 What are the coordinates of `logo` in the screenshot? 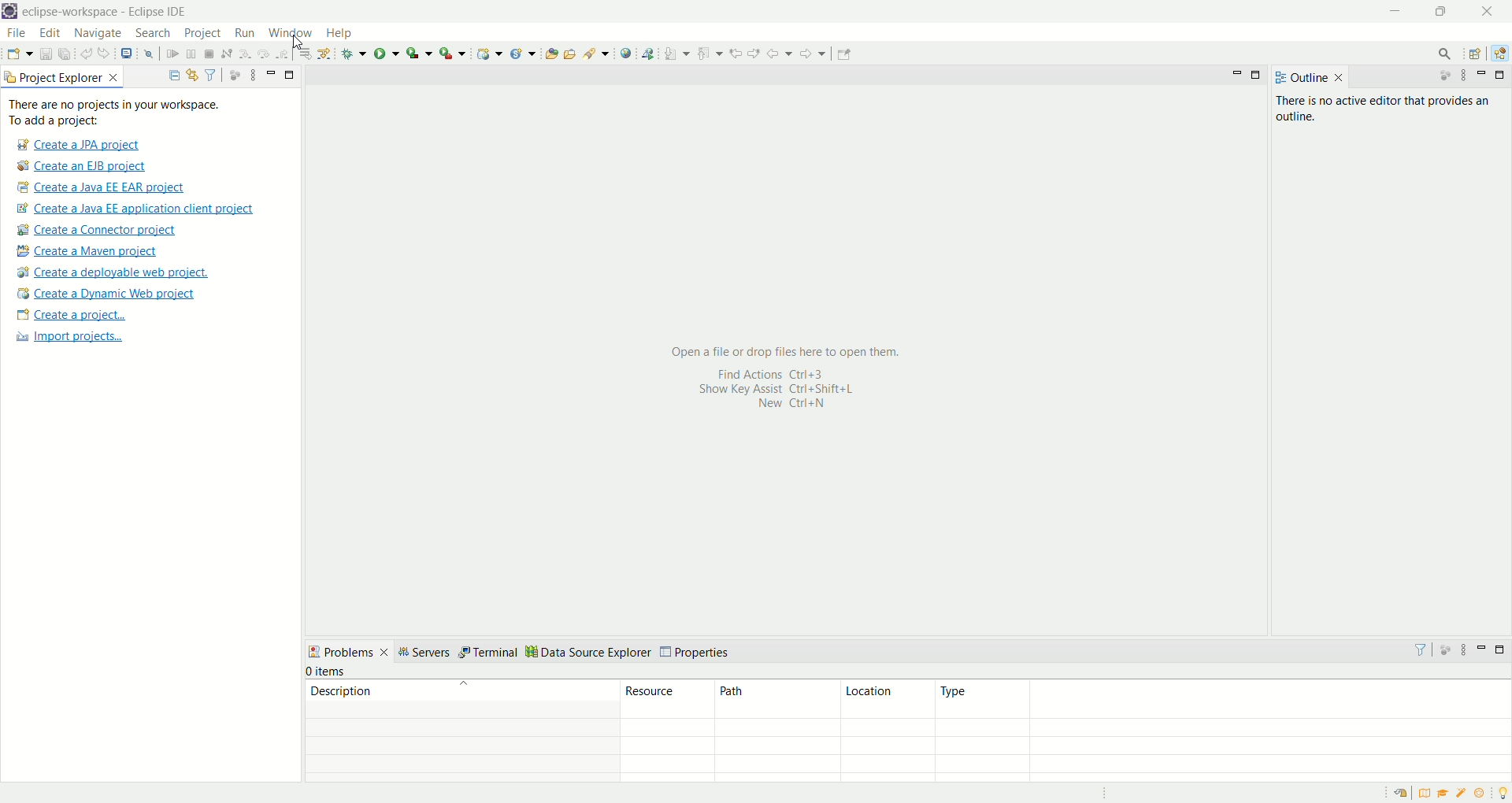 It's located at (9, 13).